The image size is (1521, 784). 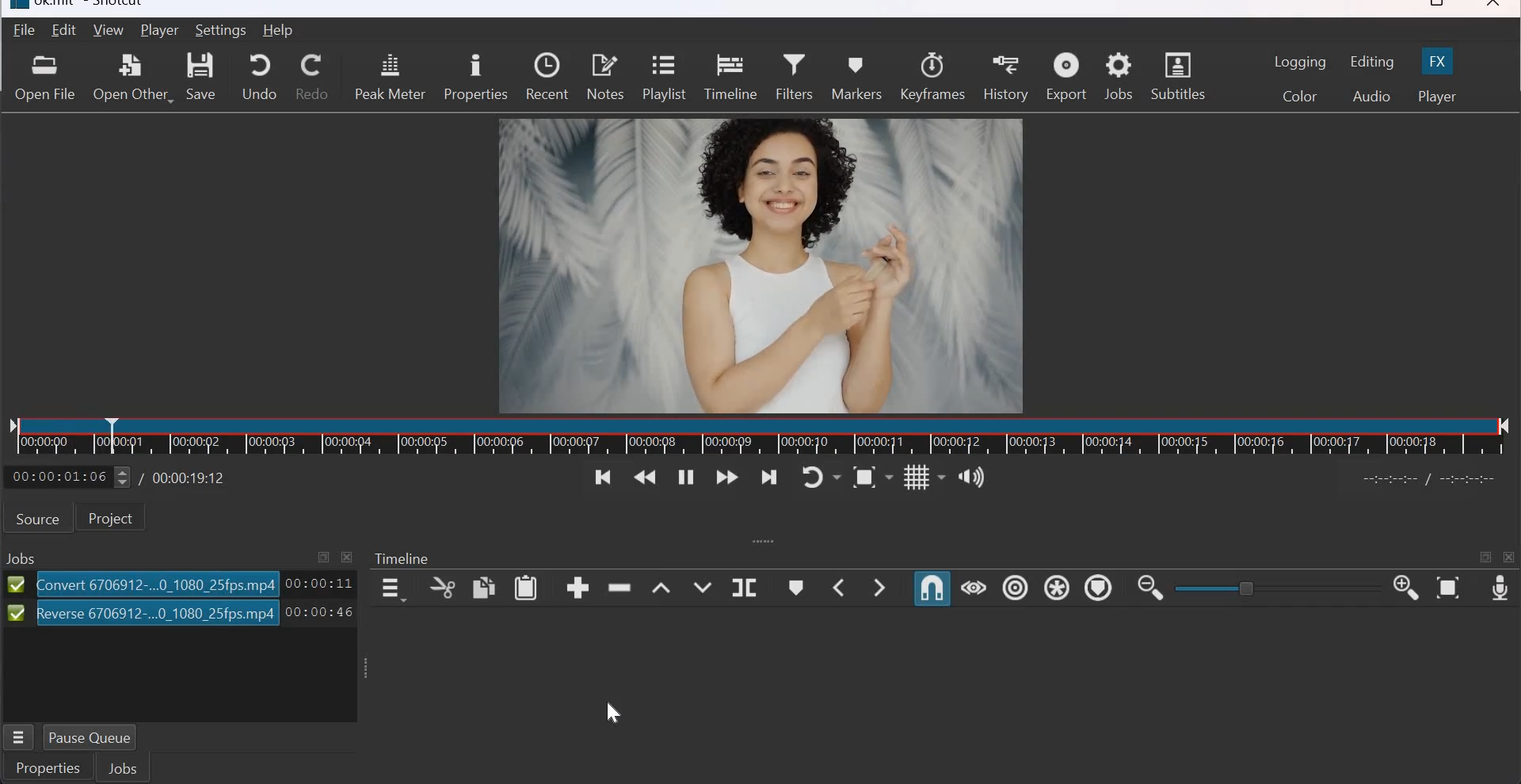 What do you see at coordinates (1374, 62) in the screenshot?
I see `Editing` at bounding box center [1374, 62].